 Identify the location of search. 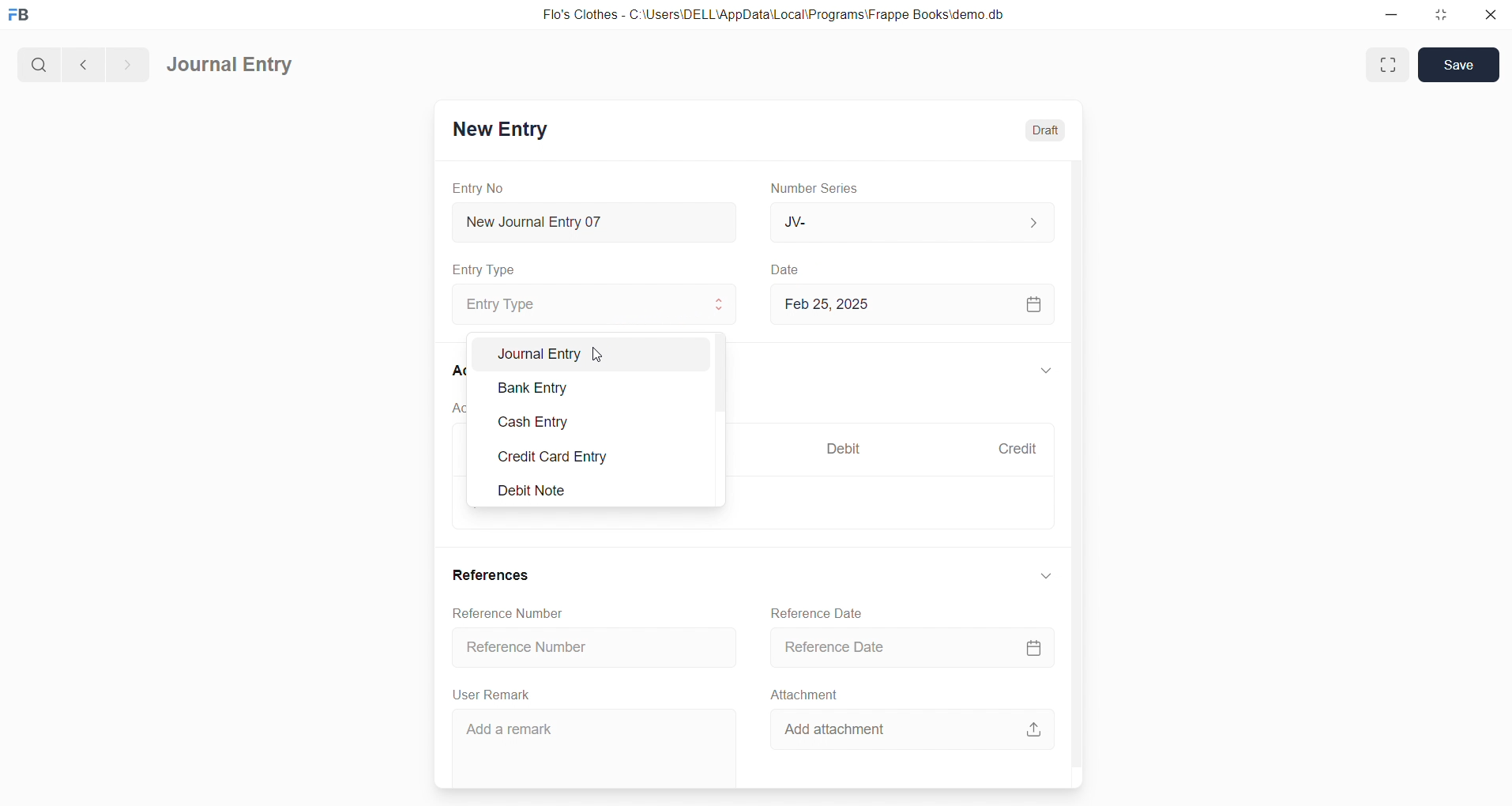
(37, 62).